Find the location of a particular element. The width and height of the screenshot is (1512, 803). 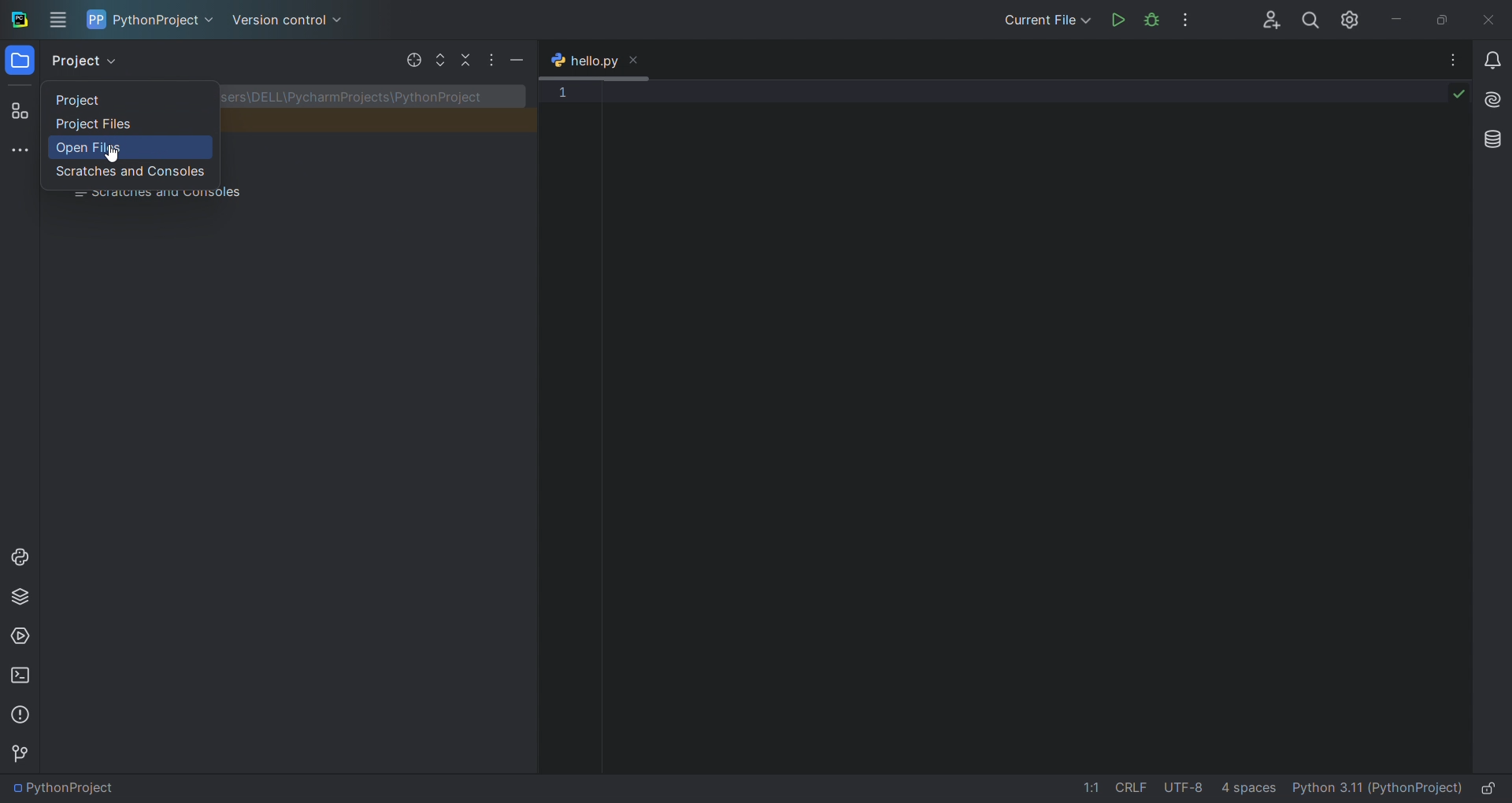

file data is located at coordinates (1171, 790).